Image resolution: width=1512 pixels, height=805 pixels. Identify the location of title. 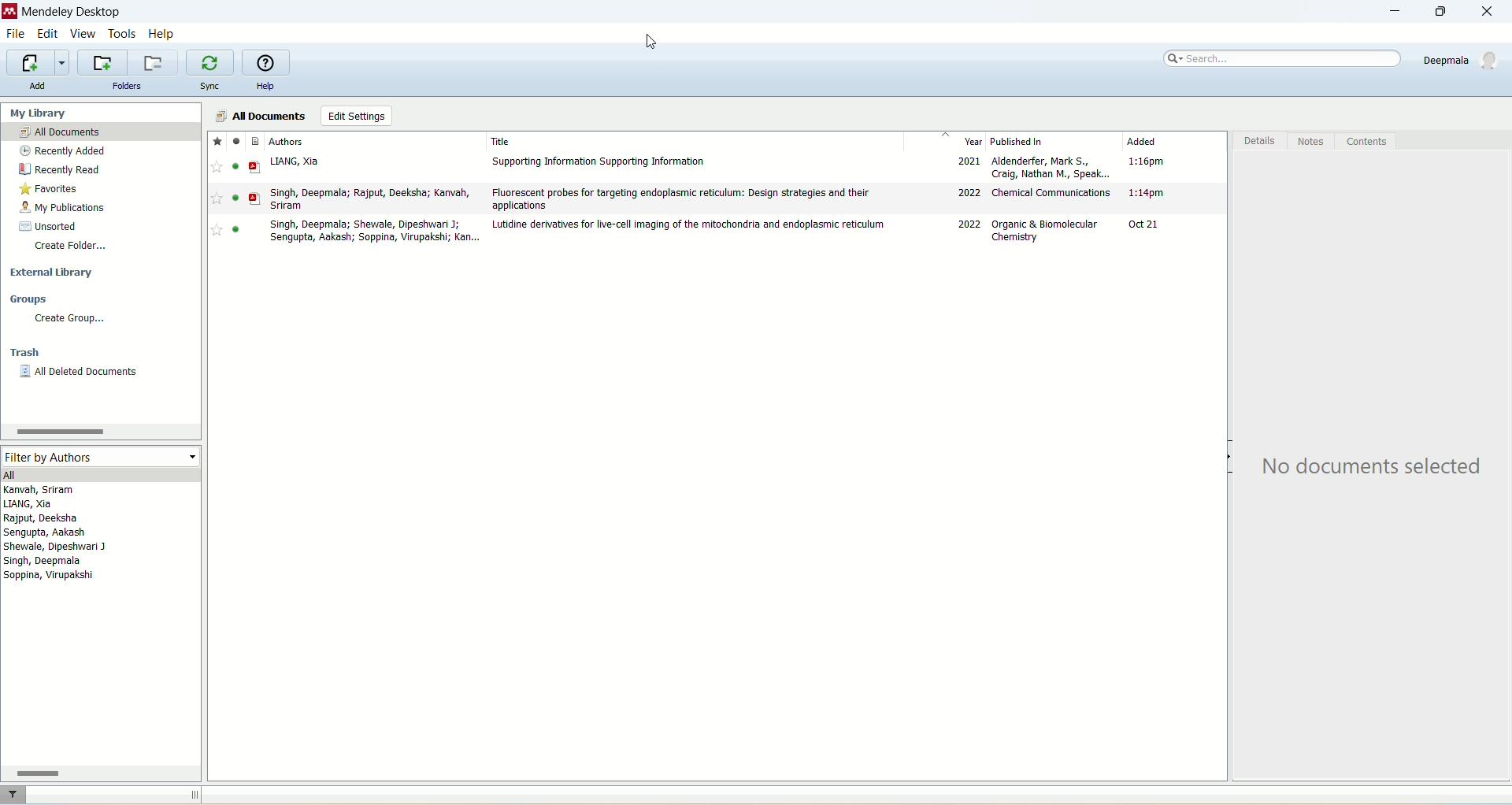
(691, 138).